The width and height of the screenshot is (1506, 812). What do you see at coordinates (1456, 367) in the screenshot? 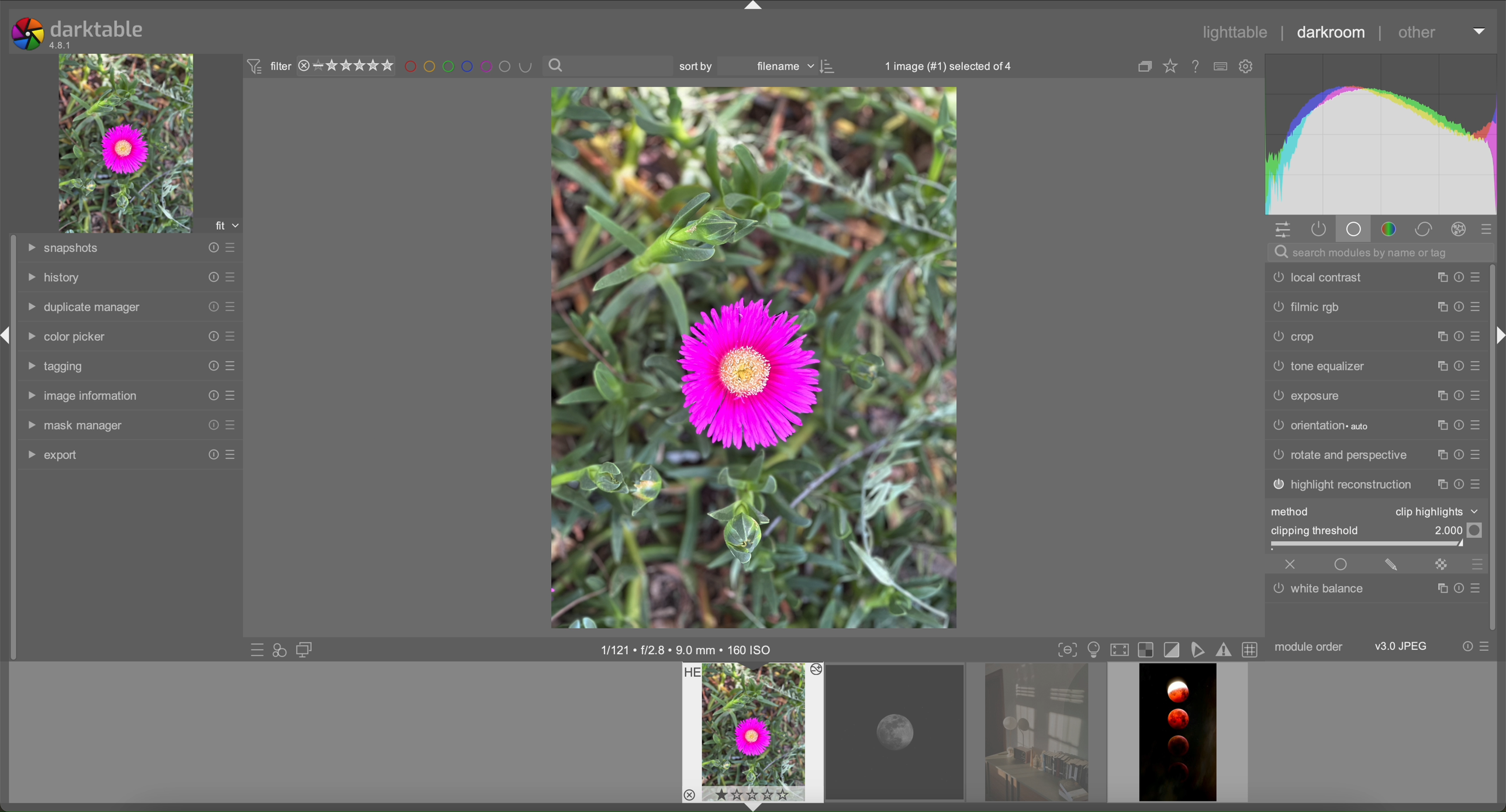
I see `reset presets` at bounding box center [1456, 367].